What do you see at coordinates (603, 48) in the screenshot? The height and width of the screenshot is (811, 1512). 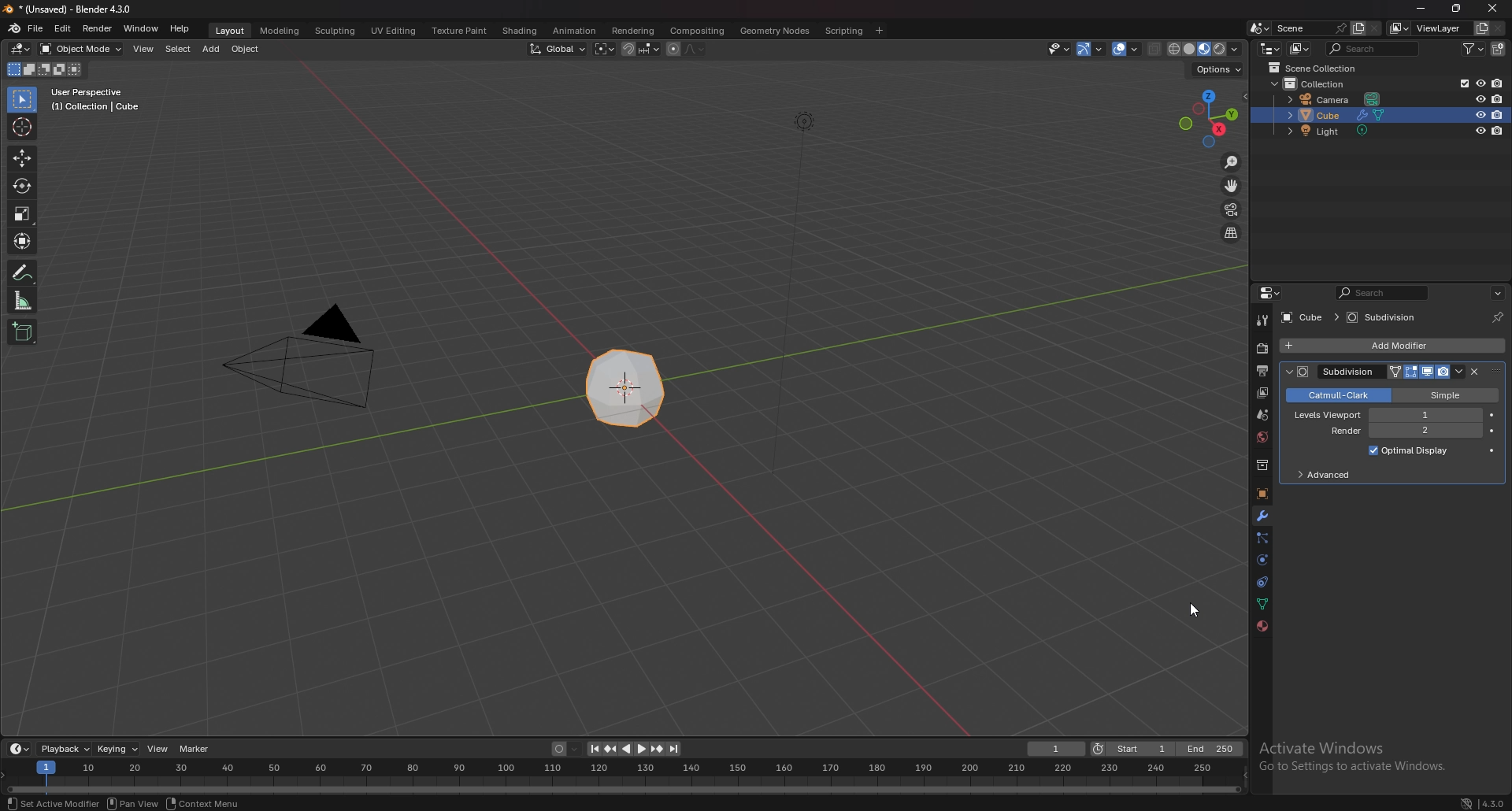 I see `transform pivot point` at bounding box center [603, 48].